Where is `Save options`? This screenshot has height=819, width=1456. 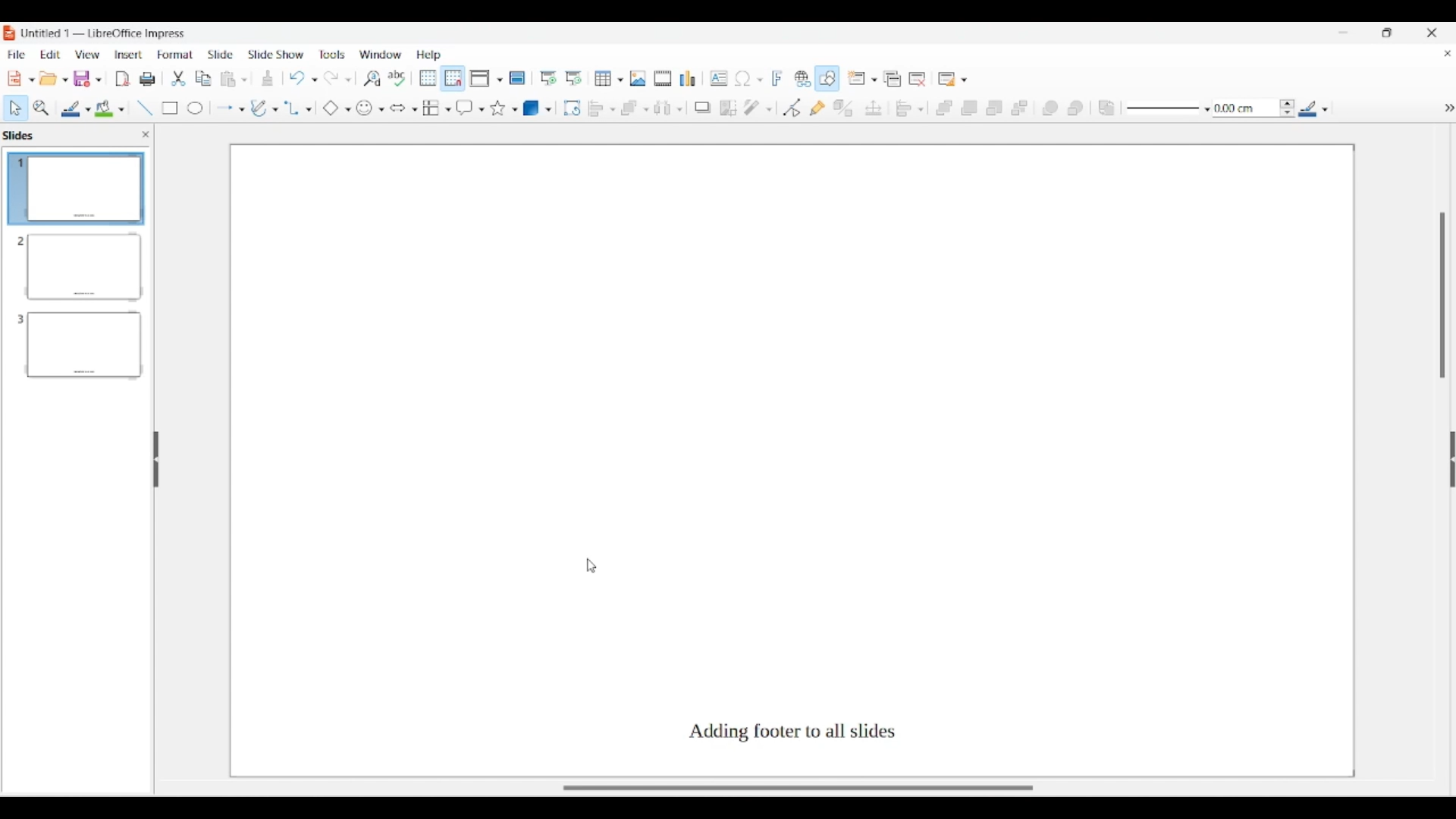
Save options is located at coordinates (88, 79).